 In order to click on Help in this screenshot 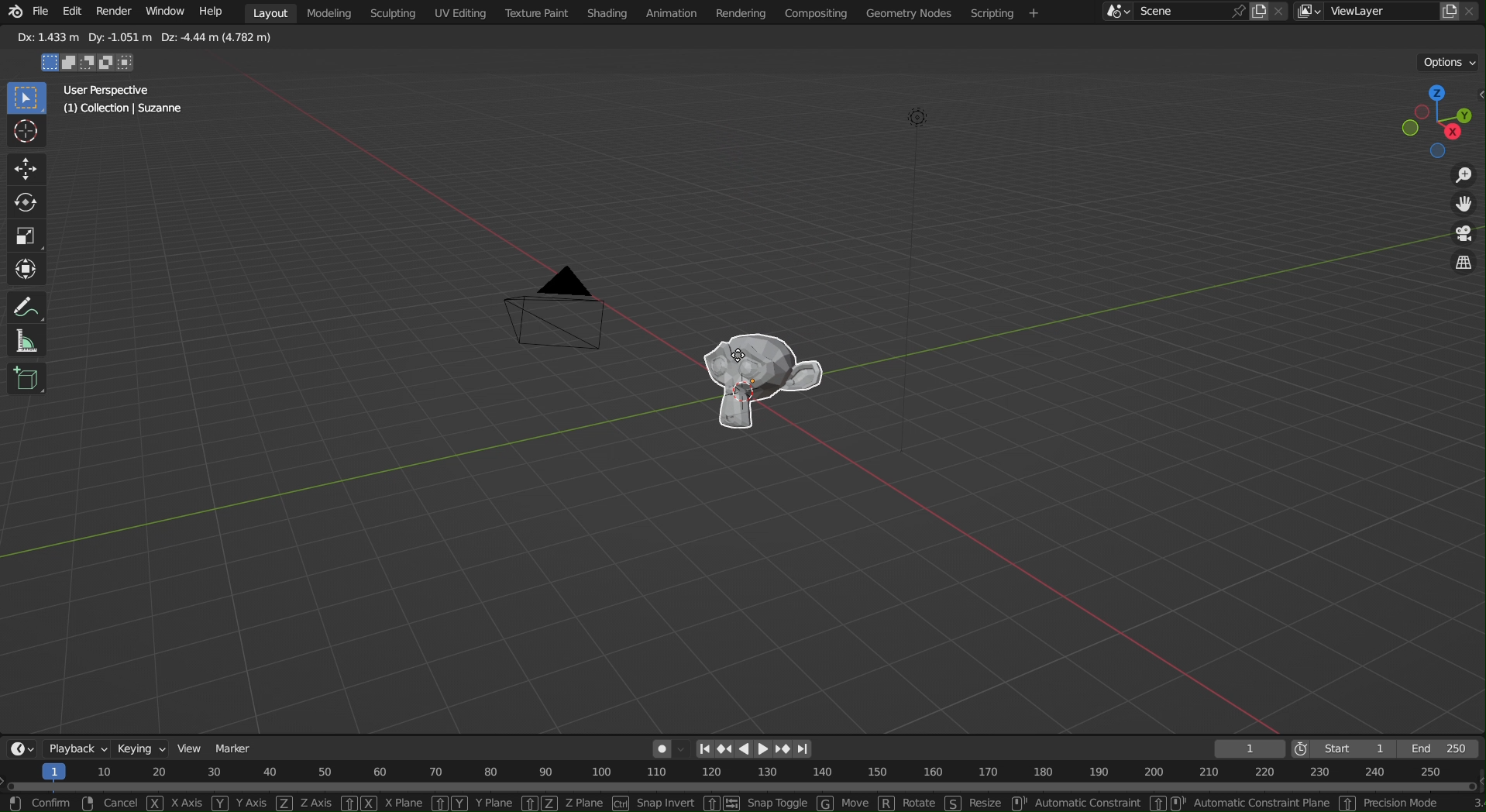, I will do `click(210, 10)`.